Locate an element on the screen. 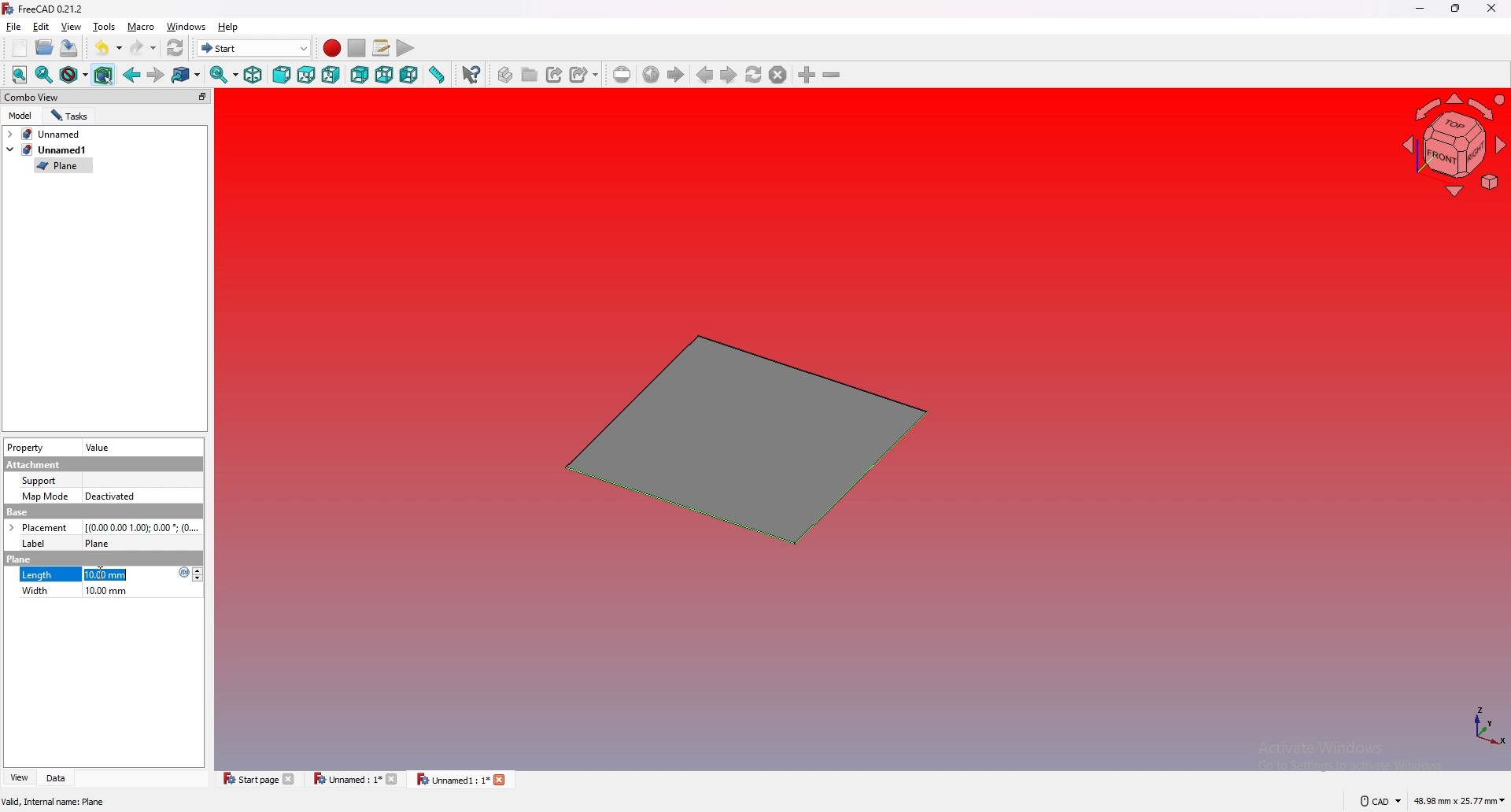  value is located at coordinates (100, 448).